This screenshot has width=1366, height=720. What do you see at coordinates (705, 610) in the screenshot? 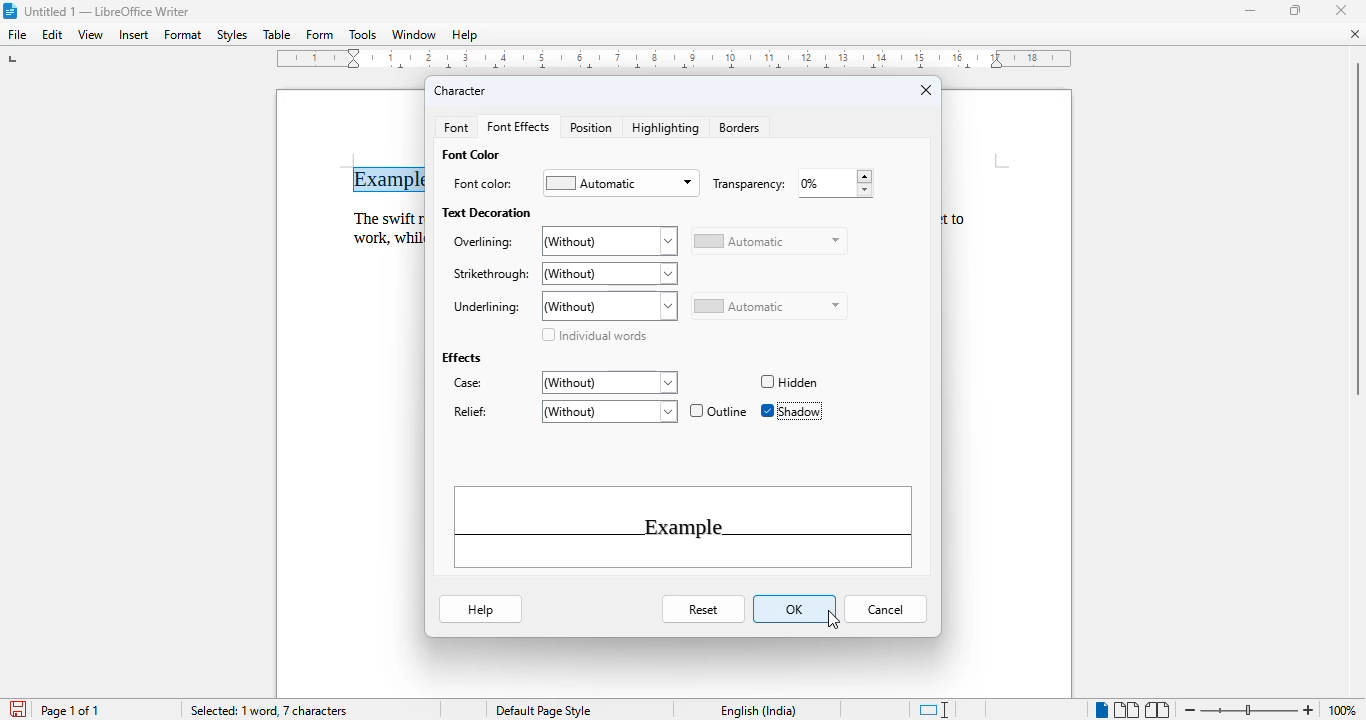
I see `reset` at bounding box center [705, 610].